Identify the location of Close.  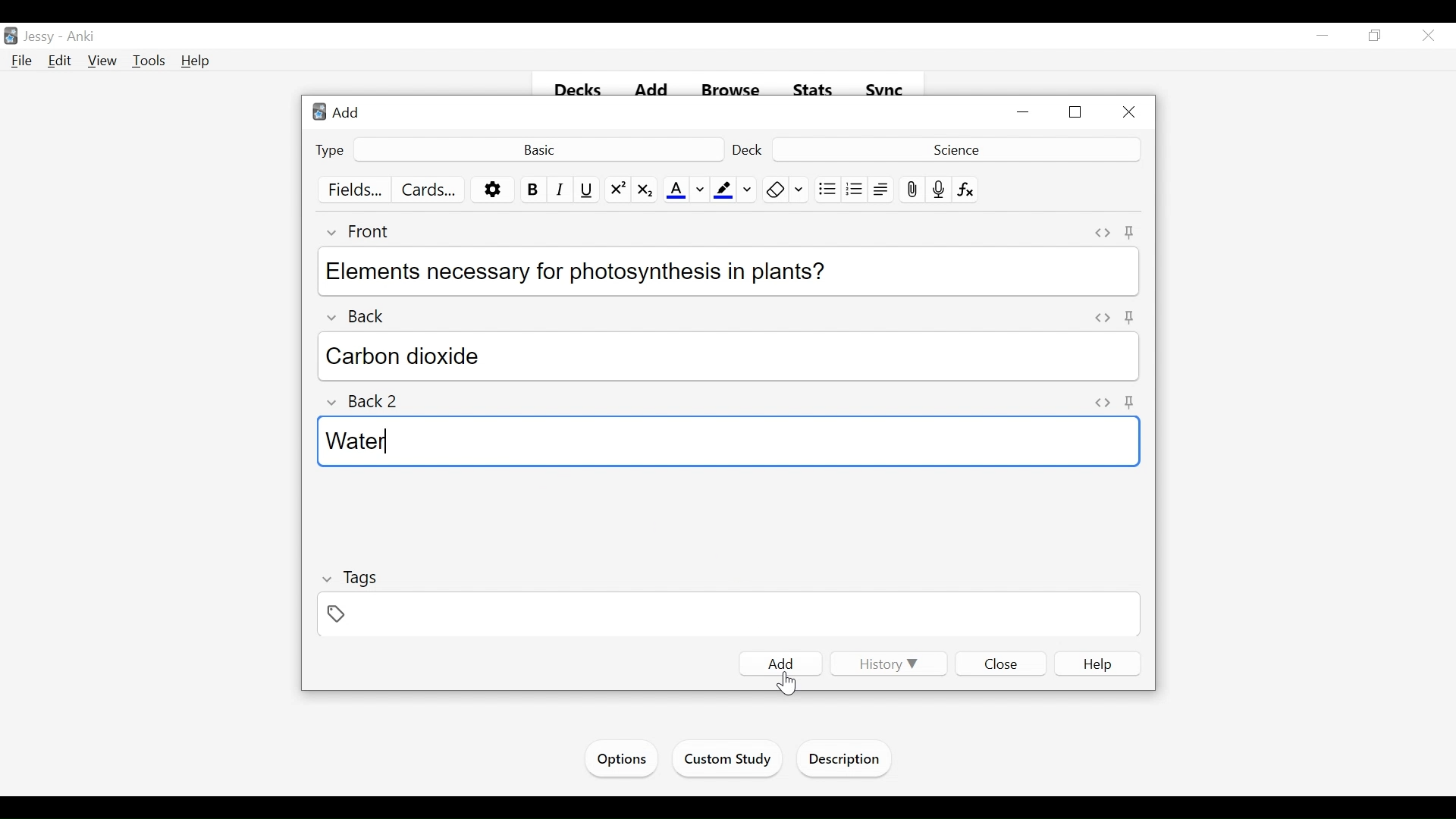
(1426, 37).